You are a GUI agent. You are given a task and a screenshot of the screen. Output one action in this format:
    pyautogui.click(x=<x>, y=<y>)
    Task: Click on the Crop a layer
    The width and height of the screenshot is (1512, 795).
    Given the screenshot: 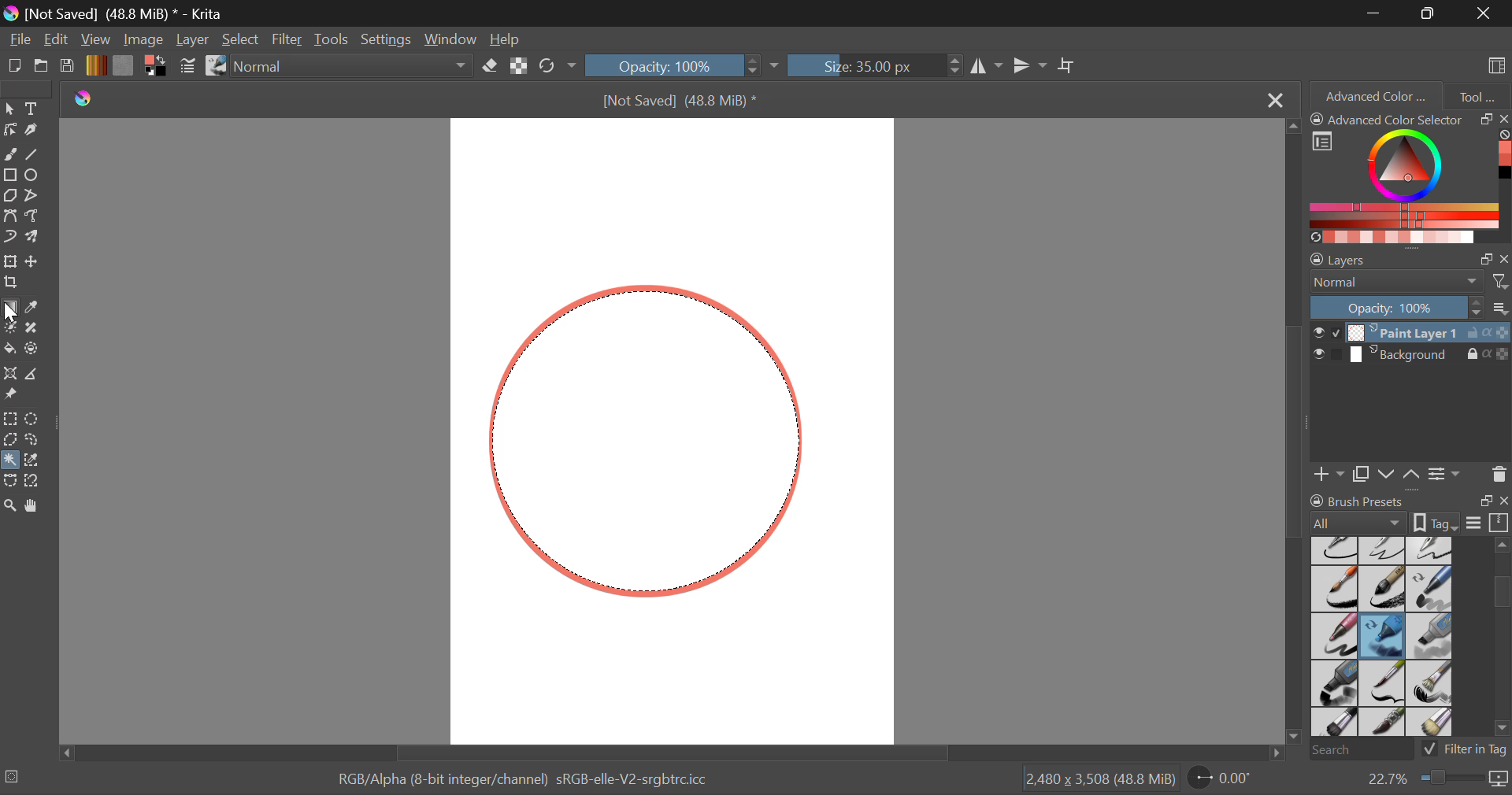 What is the action you would take?
    pyautogui.click(x=9, y=282)
    